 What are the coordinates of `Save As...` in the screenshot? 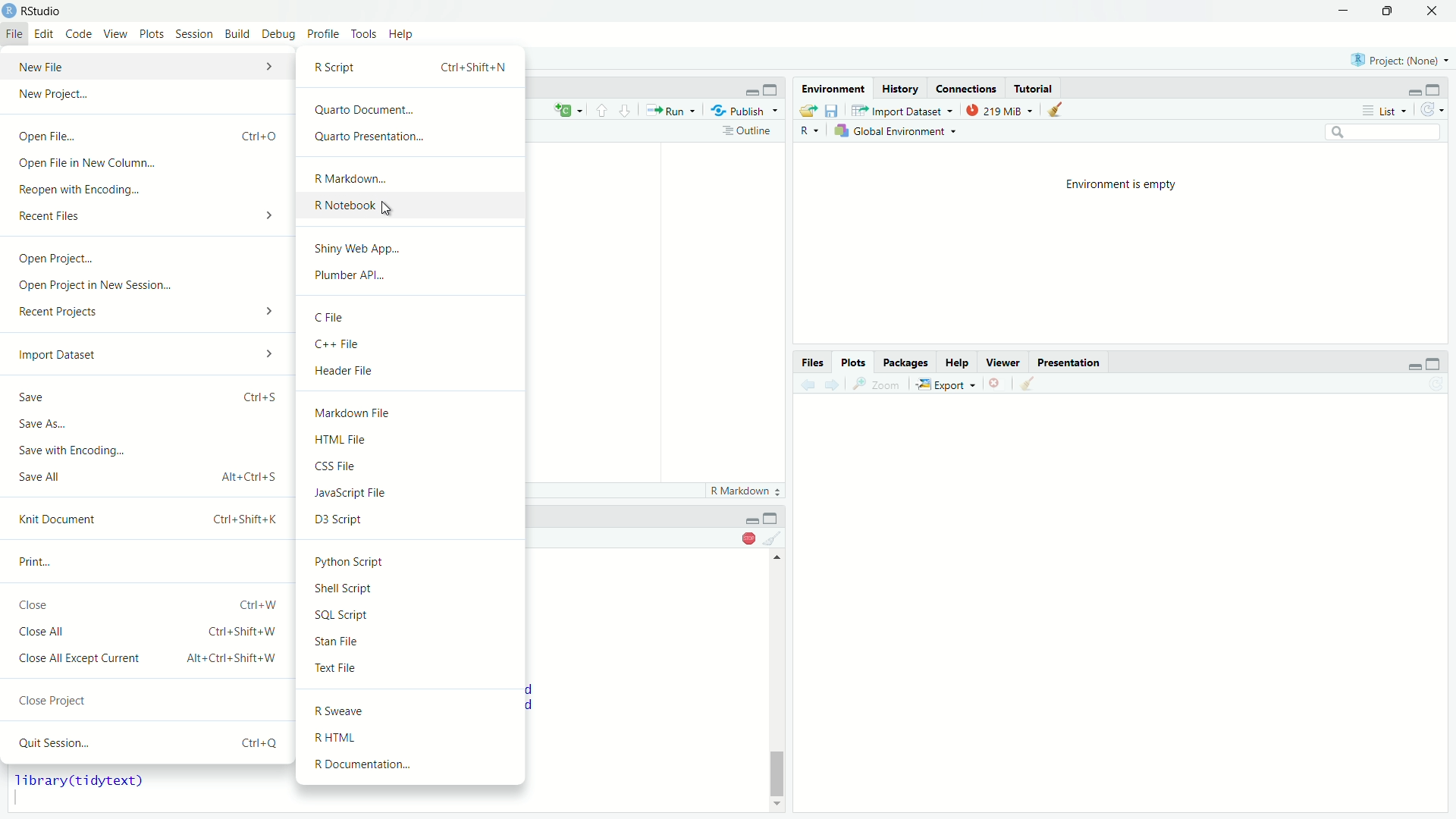 It's located at (144, 422).